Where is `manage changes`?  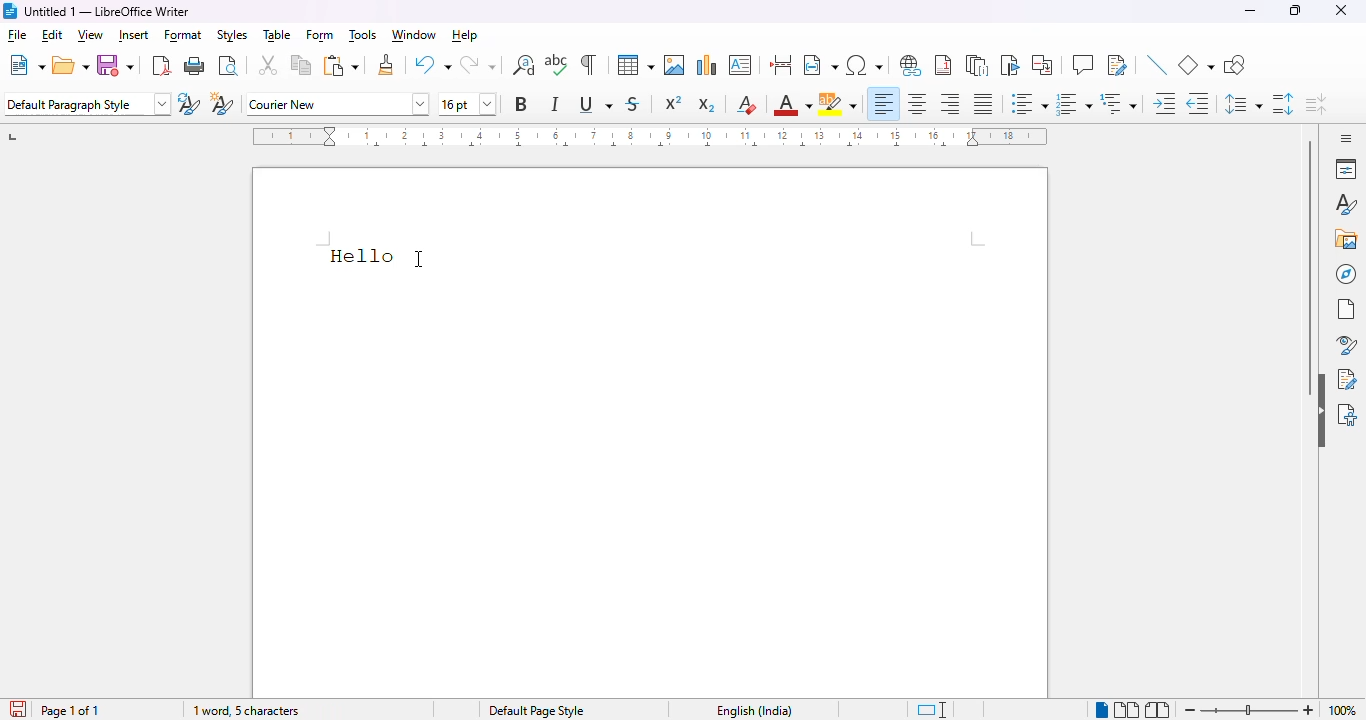
manage changes is located at coordinates (1347, 379).